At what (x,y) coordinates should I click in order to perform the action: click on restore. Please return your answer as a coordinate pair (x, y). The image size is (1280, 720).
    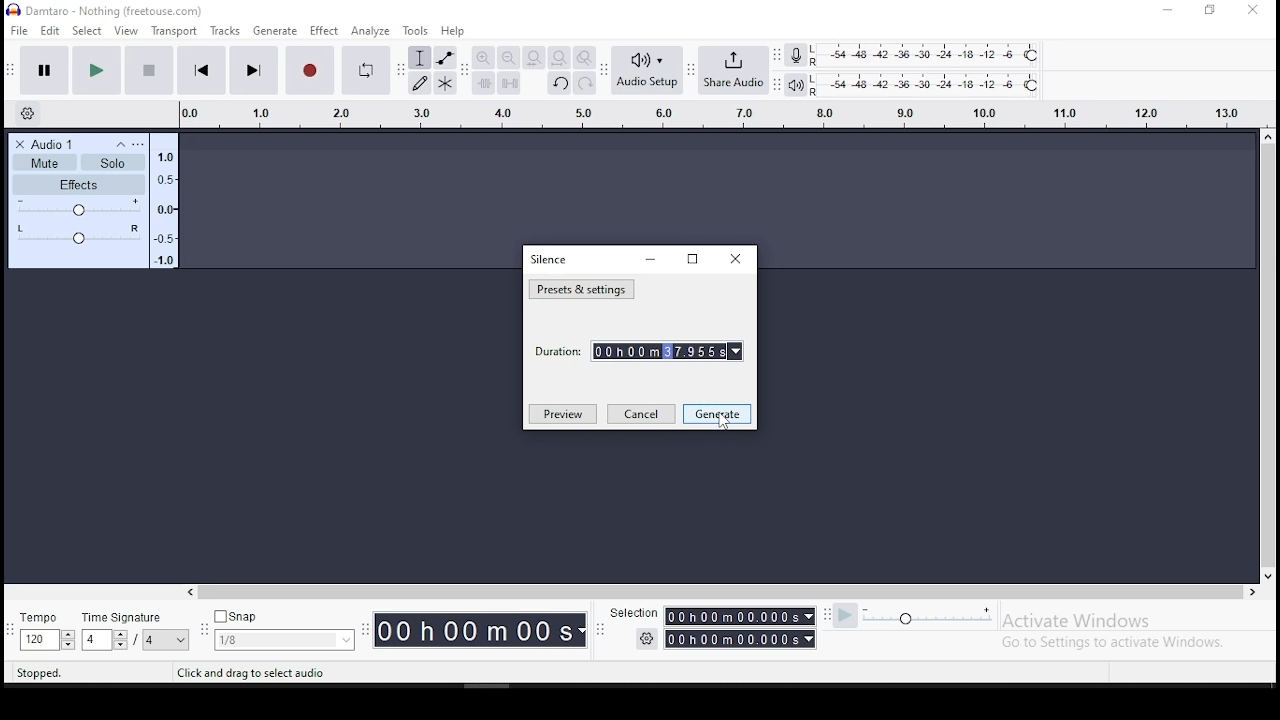
    Looking at the image, I should click on (692, 259).